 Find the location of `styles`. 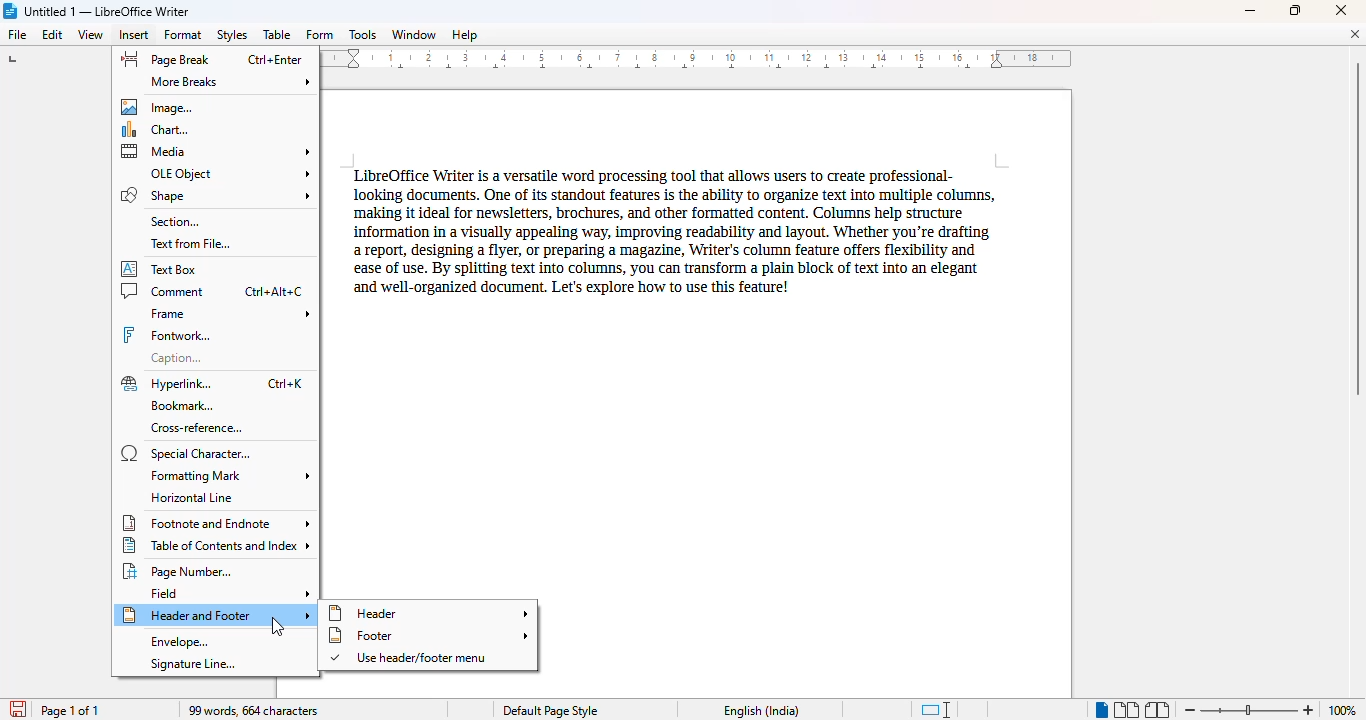

styles is located at coordinates (231, 35).